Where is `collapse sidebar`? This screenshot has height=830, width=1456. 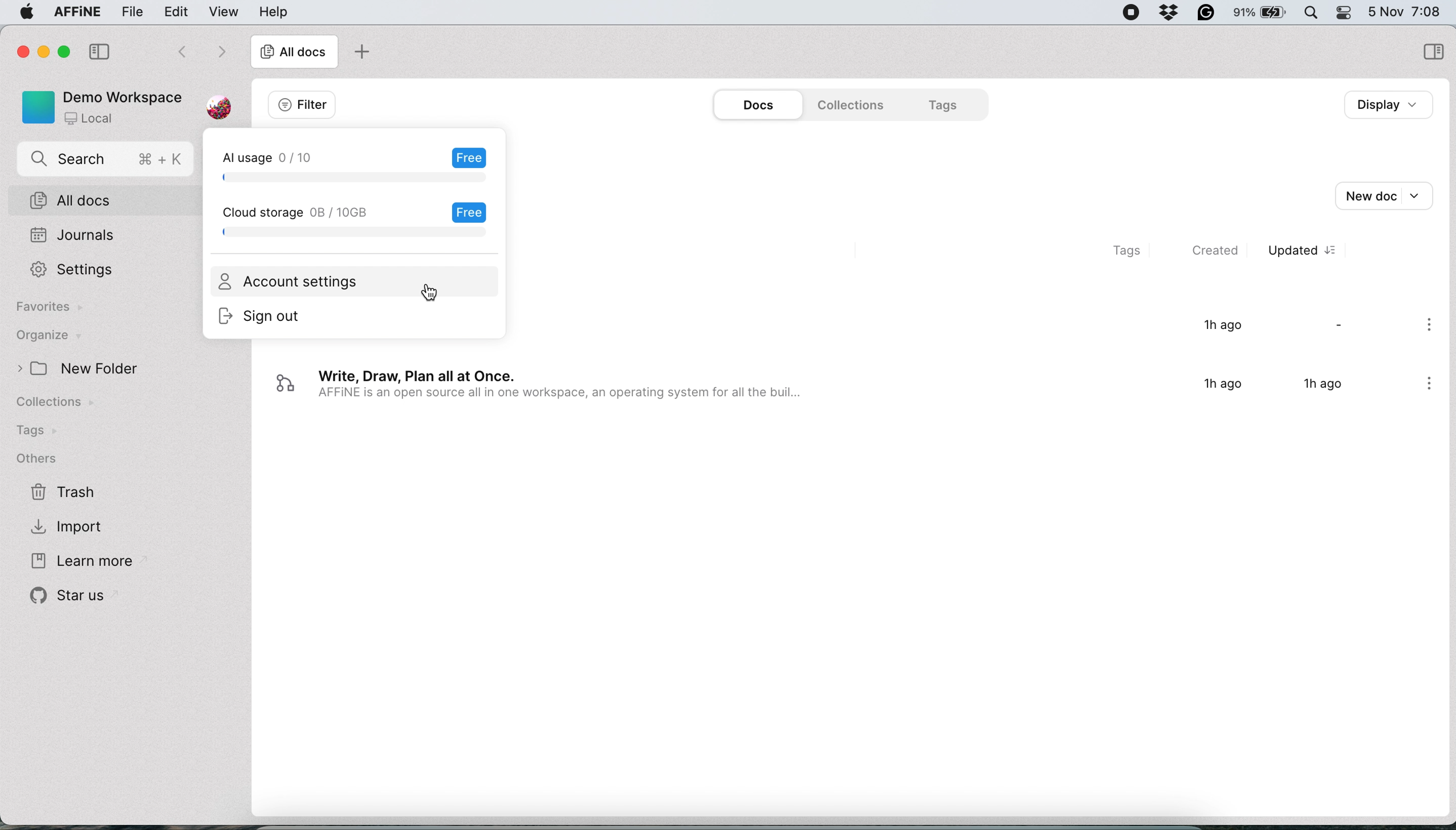 collapse sidebar is located at coordinates (99, 50).